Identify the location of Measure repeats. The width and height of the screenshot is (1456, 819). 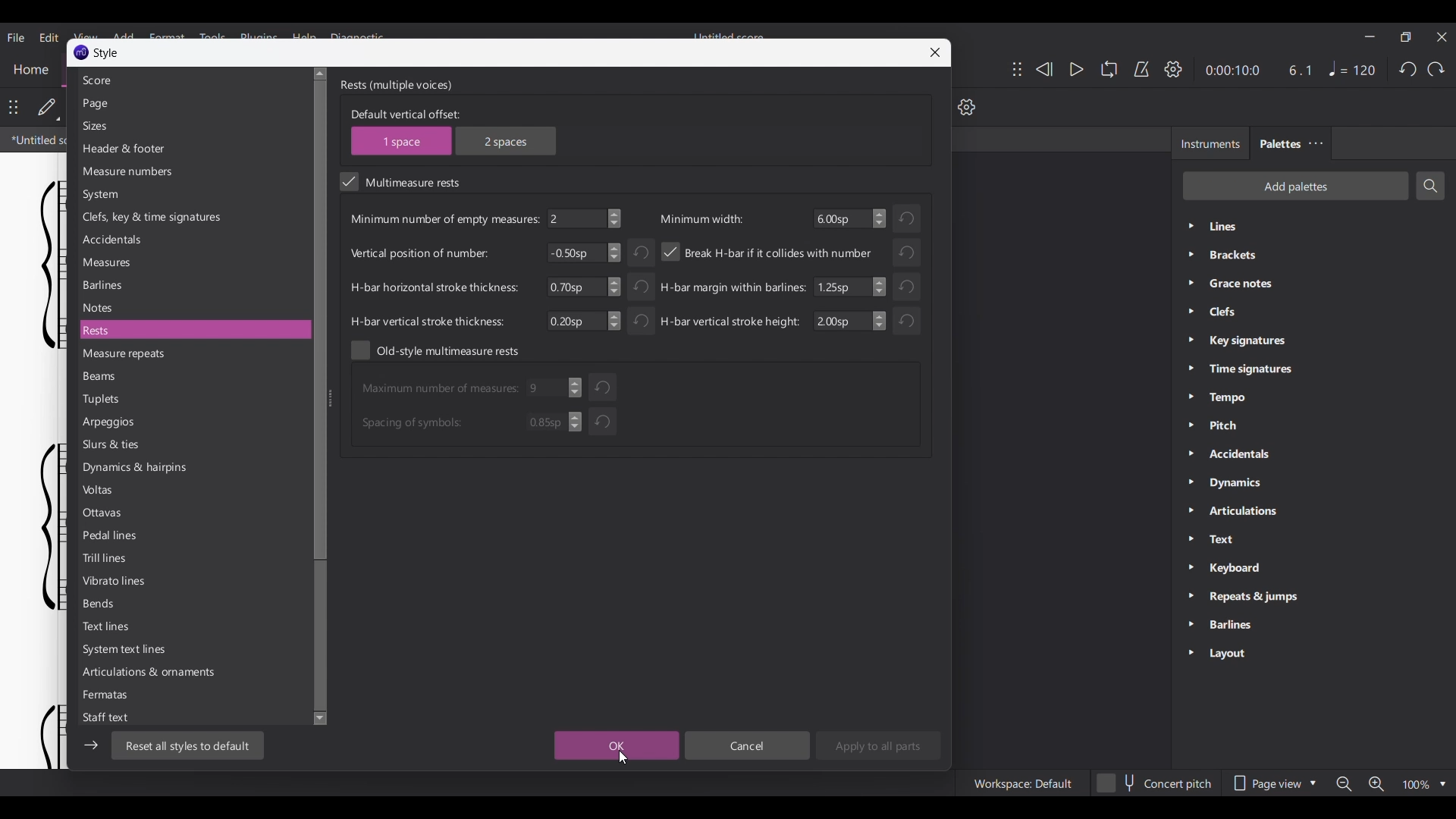
(191, 354).